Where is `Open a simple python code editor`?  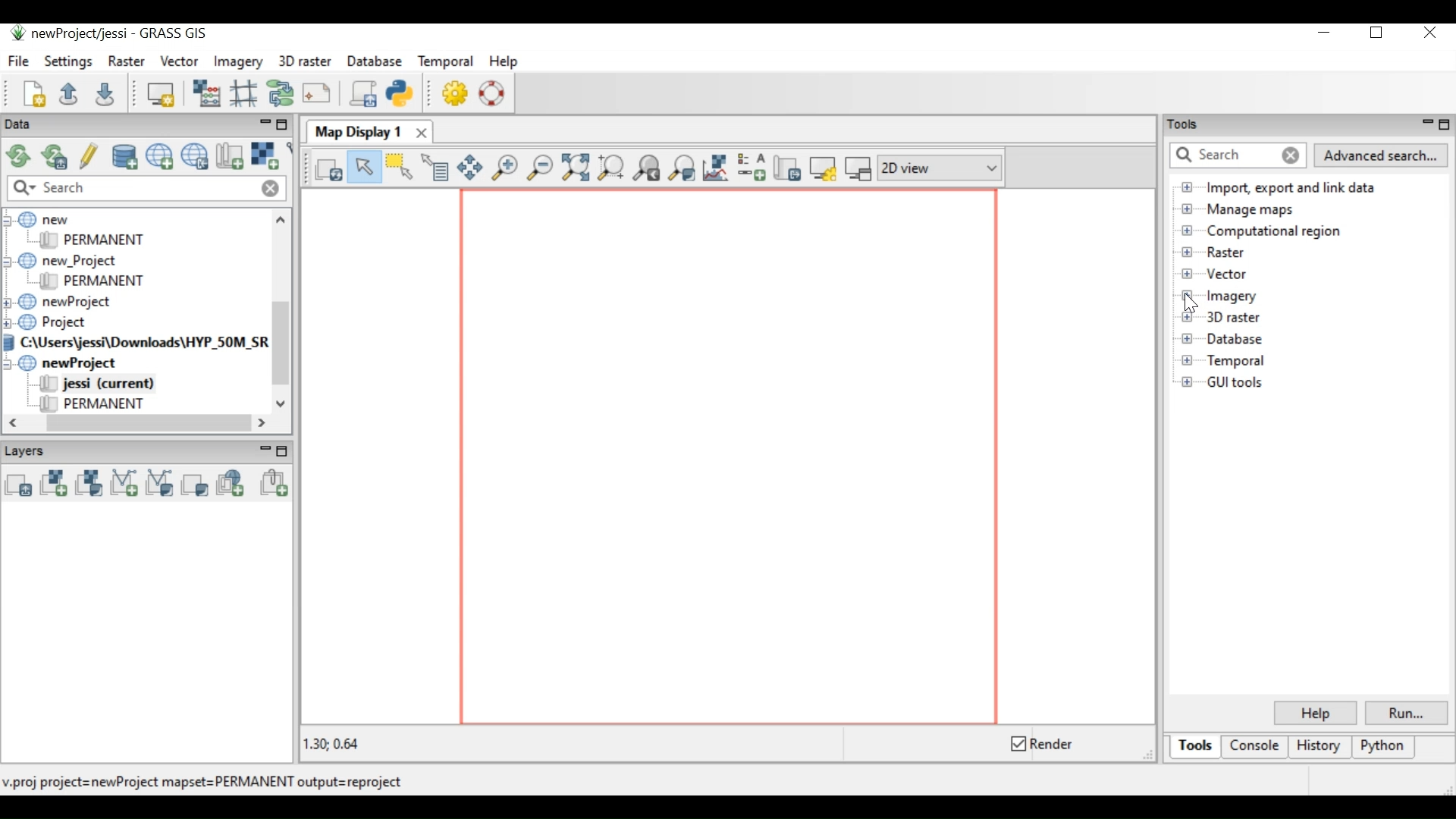
Open a simple python code editor is located at coordinates (402, 93).